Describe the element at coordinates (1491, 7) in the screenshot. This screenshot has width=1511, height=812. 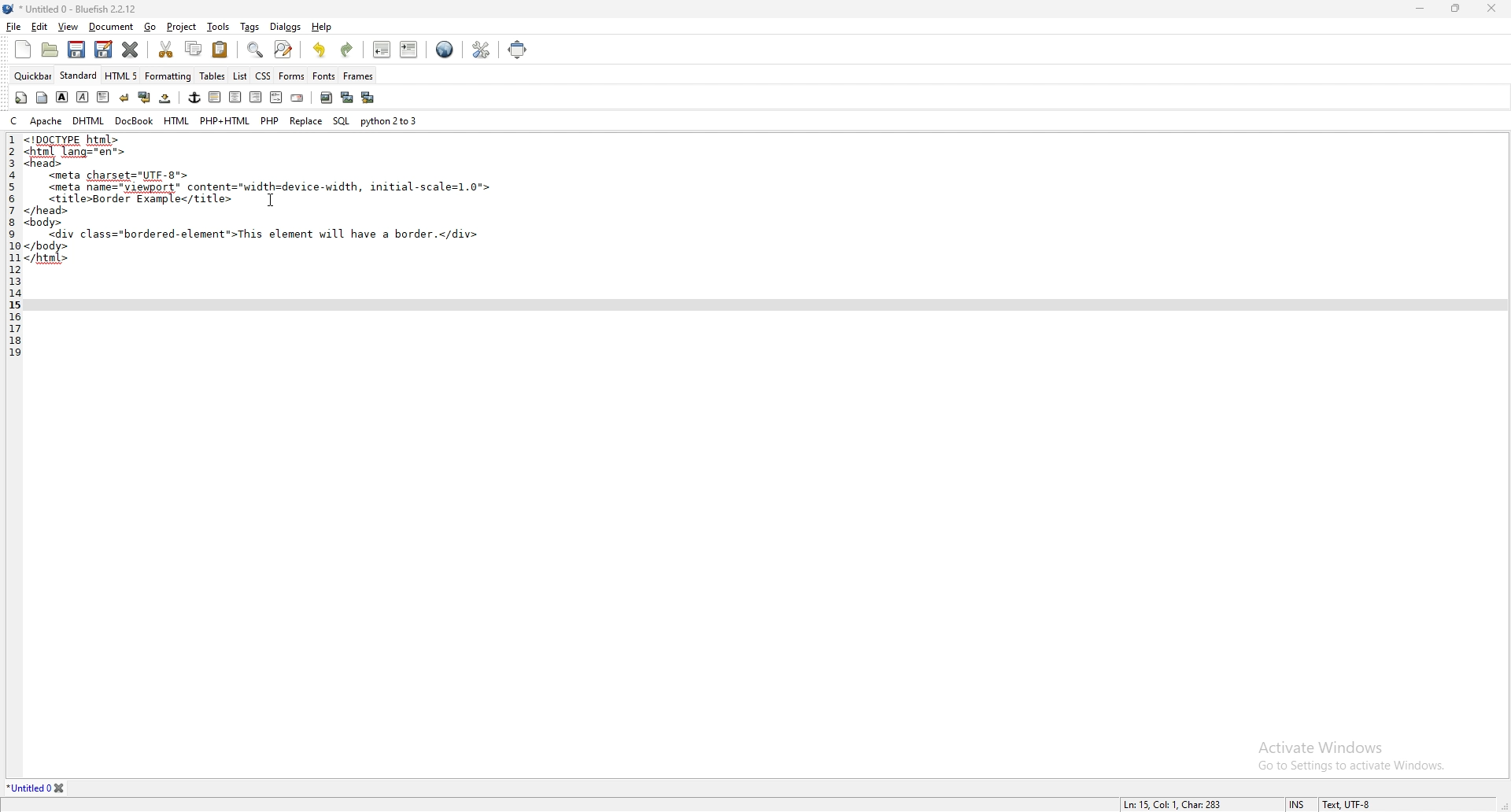
I see `close` at that location.